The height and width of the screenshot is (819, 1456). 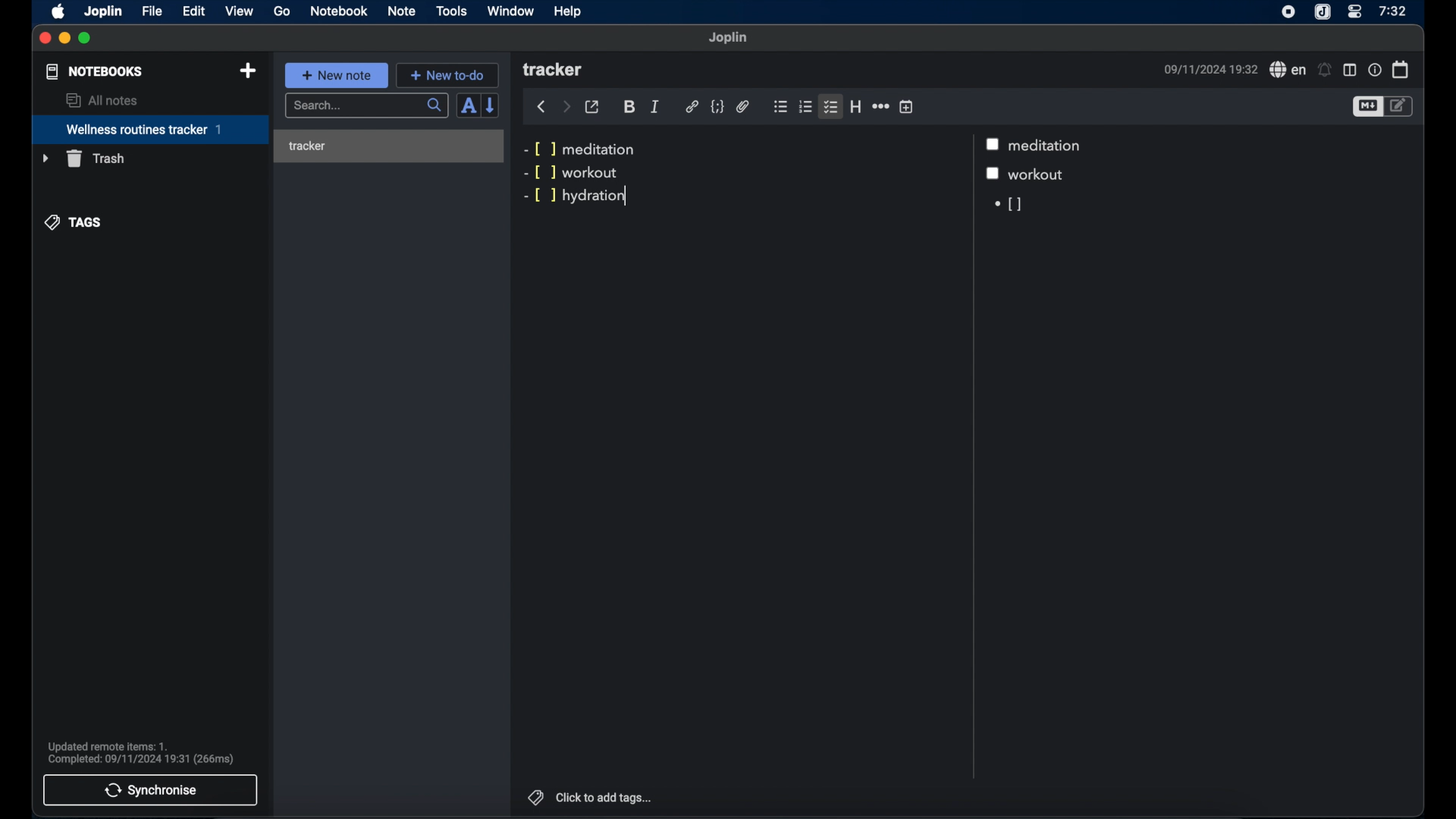 What do you see at coordinates (152, 11) in the screenshot?
I see `file` at bounding box center [152, 11].